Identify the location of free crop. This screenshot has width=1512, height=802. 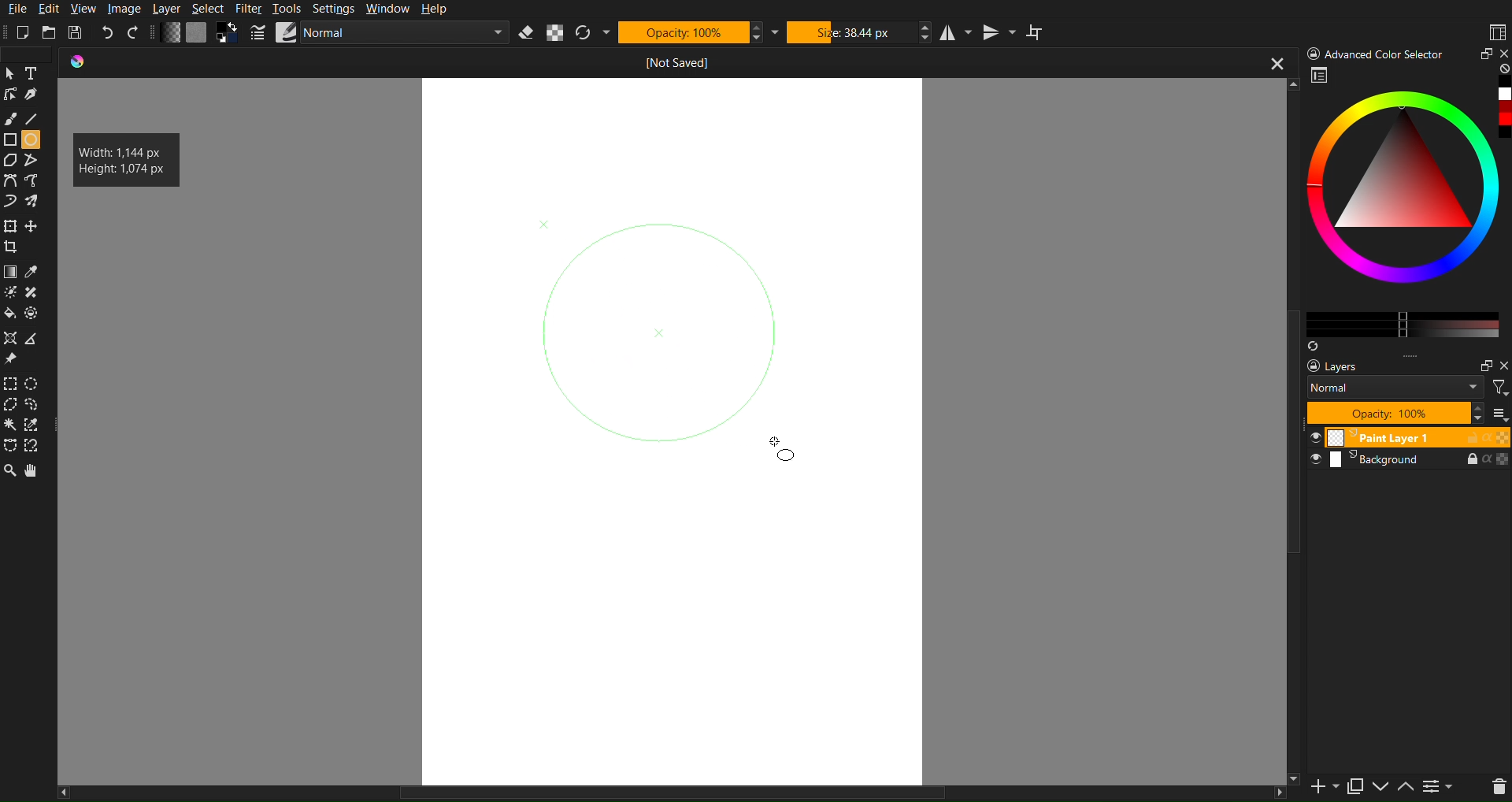
(34, 229).